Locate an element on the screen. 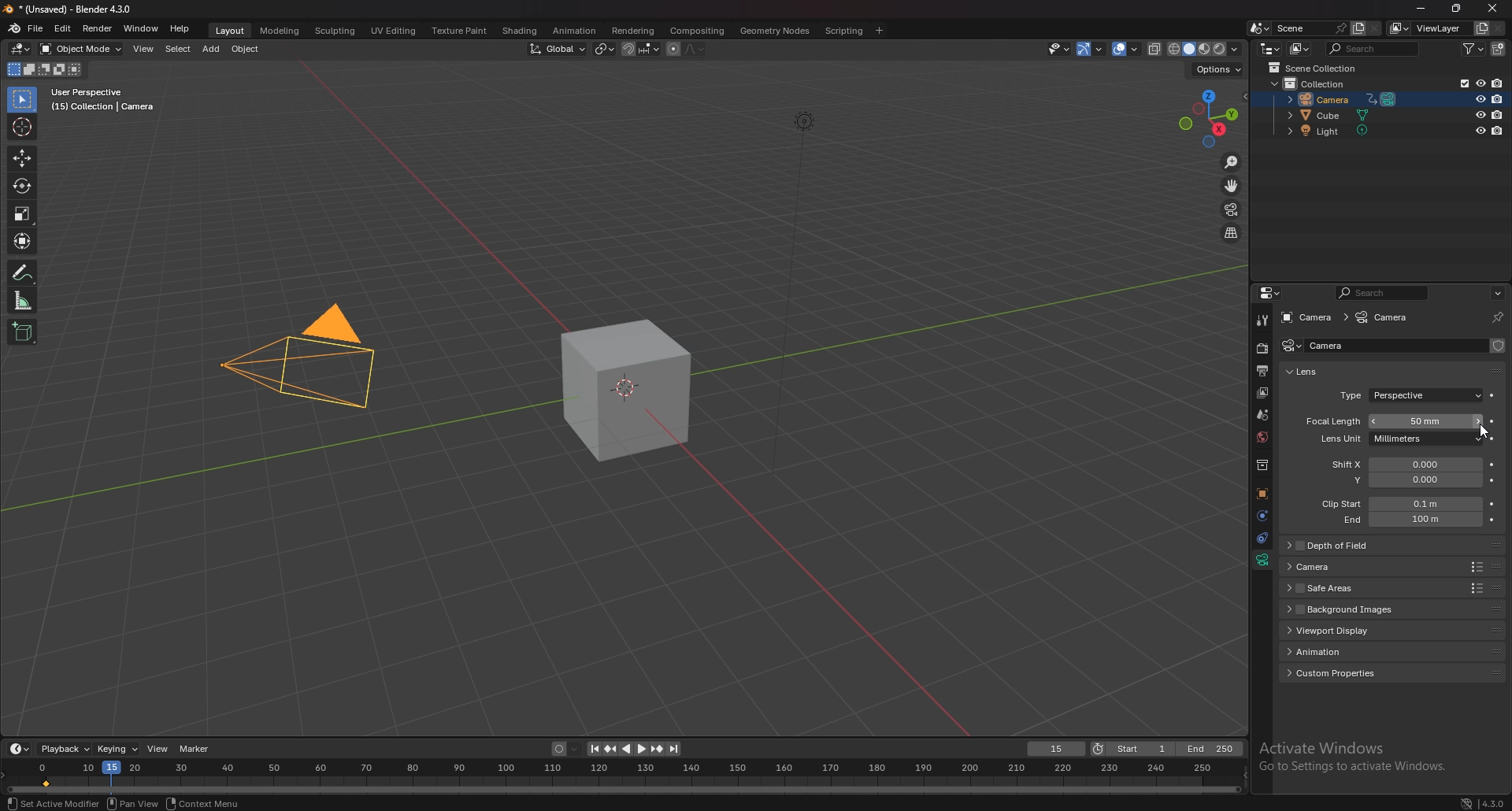 The width and height of the screenshot is (1512, 811). camera view is located at coordinates (1232, 209).